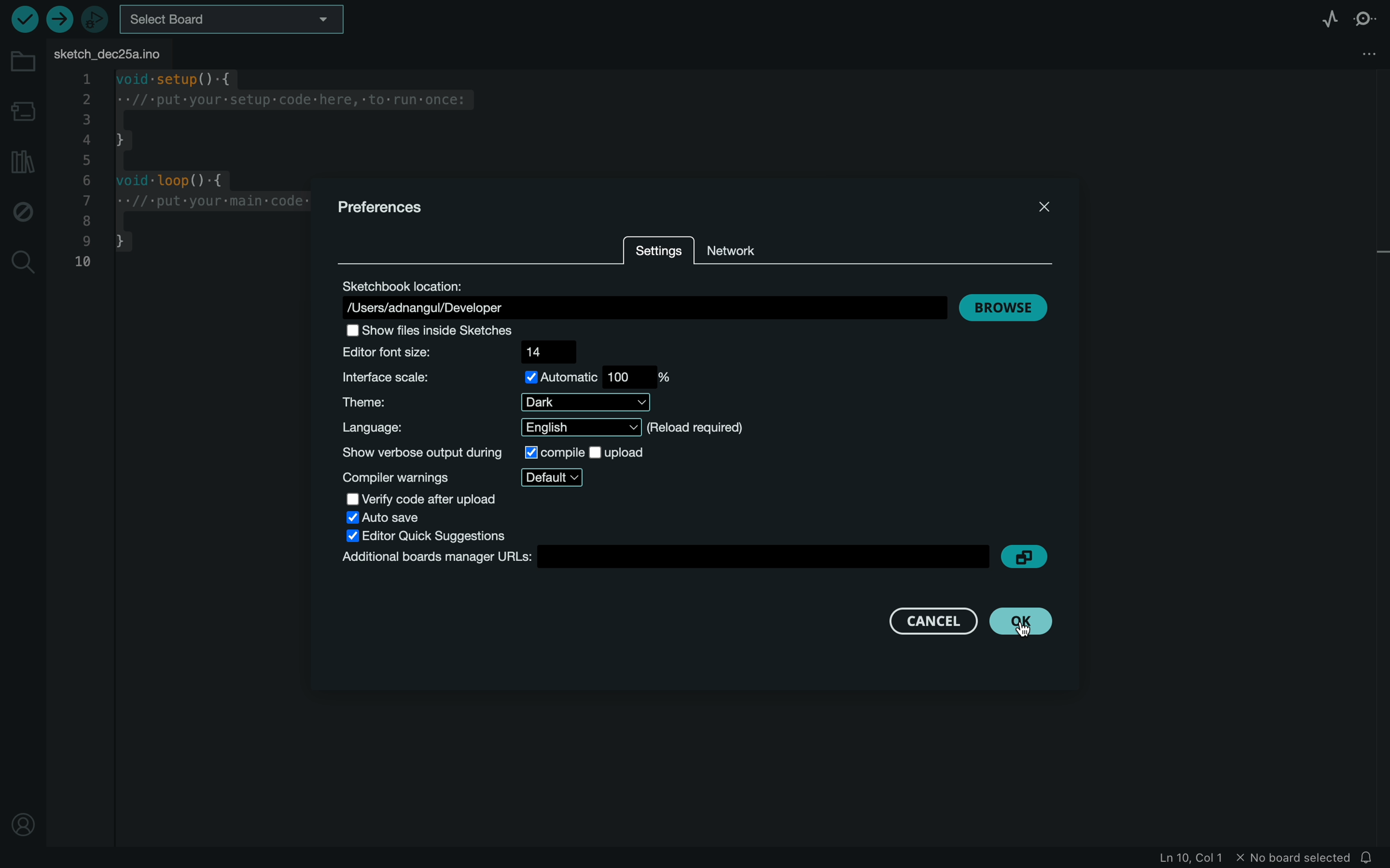 This screenshot has height=868, width=1390. What do you see at coordinates (384, 207) in the screenshot?
I see `prefernces` at bounding box center [384, 207].